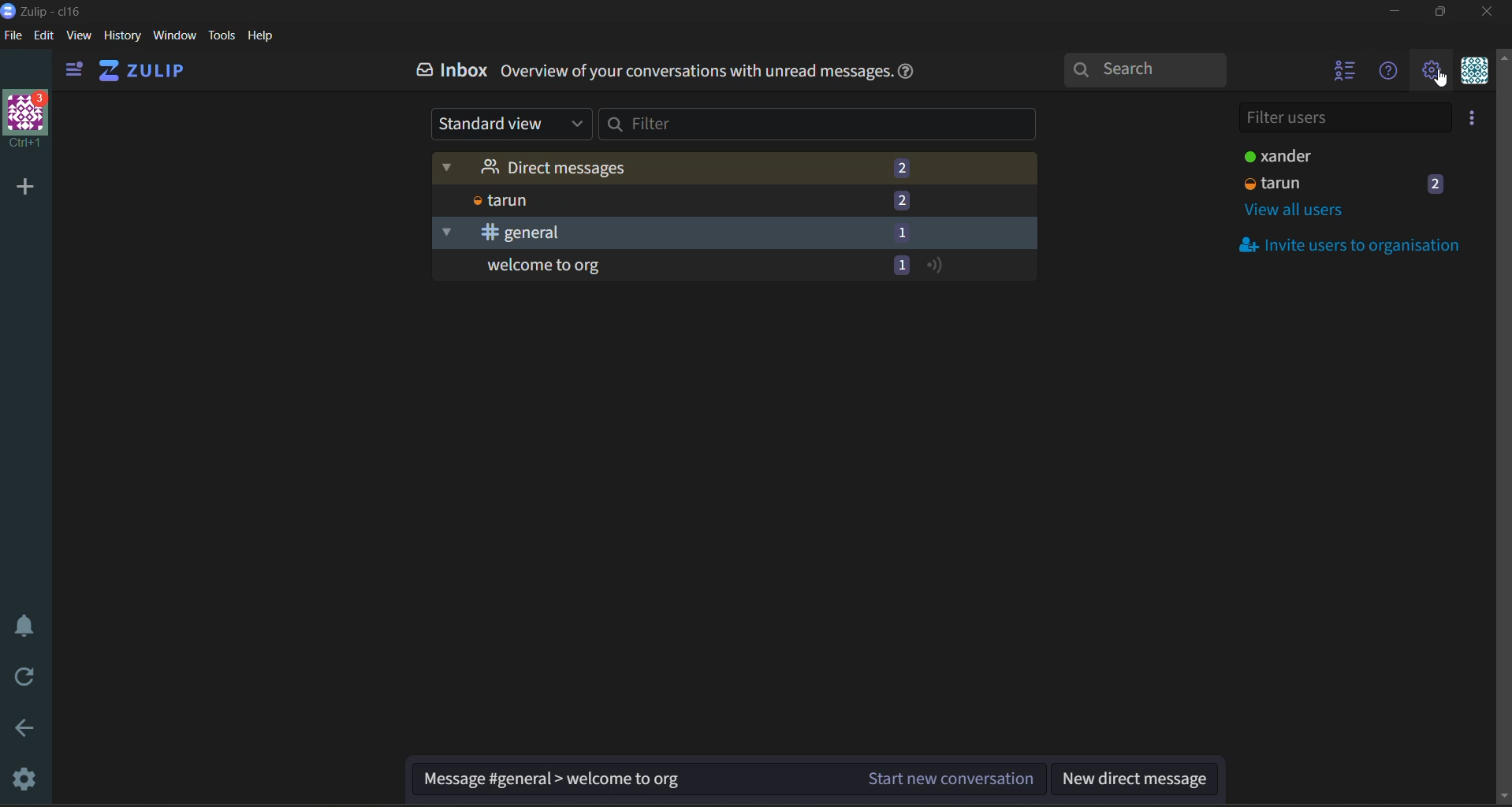 Image resolution: width=1512 pixels, height=807 pixels. What do you see at coordinates (631, 780) in the screenshot?
I see `message` at bounding box center [631, 780].